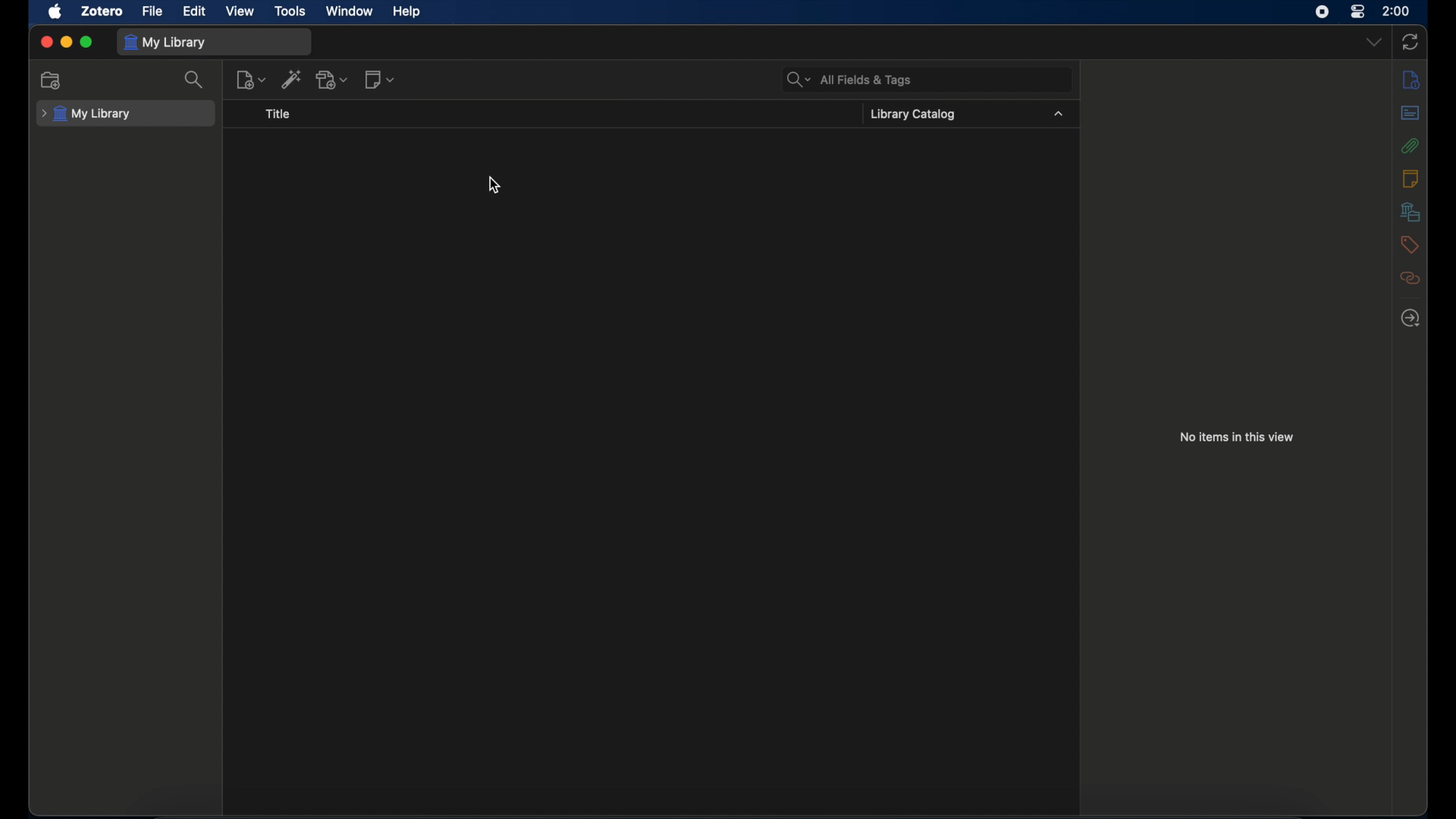 The height and width of the screenshot is (819, 1456). Describe the element at coordinates (47, 41) in the screenshot. I see `close` at that location.